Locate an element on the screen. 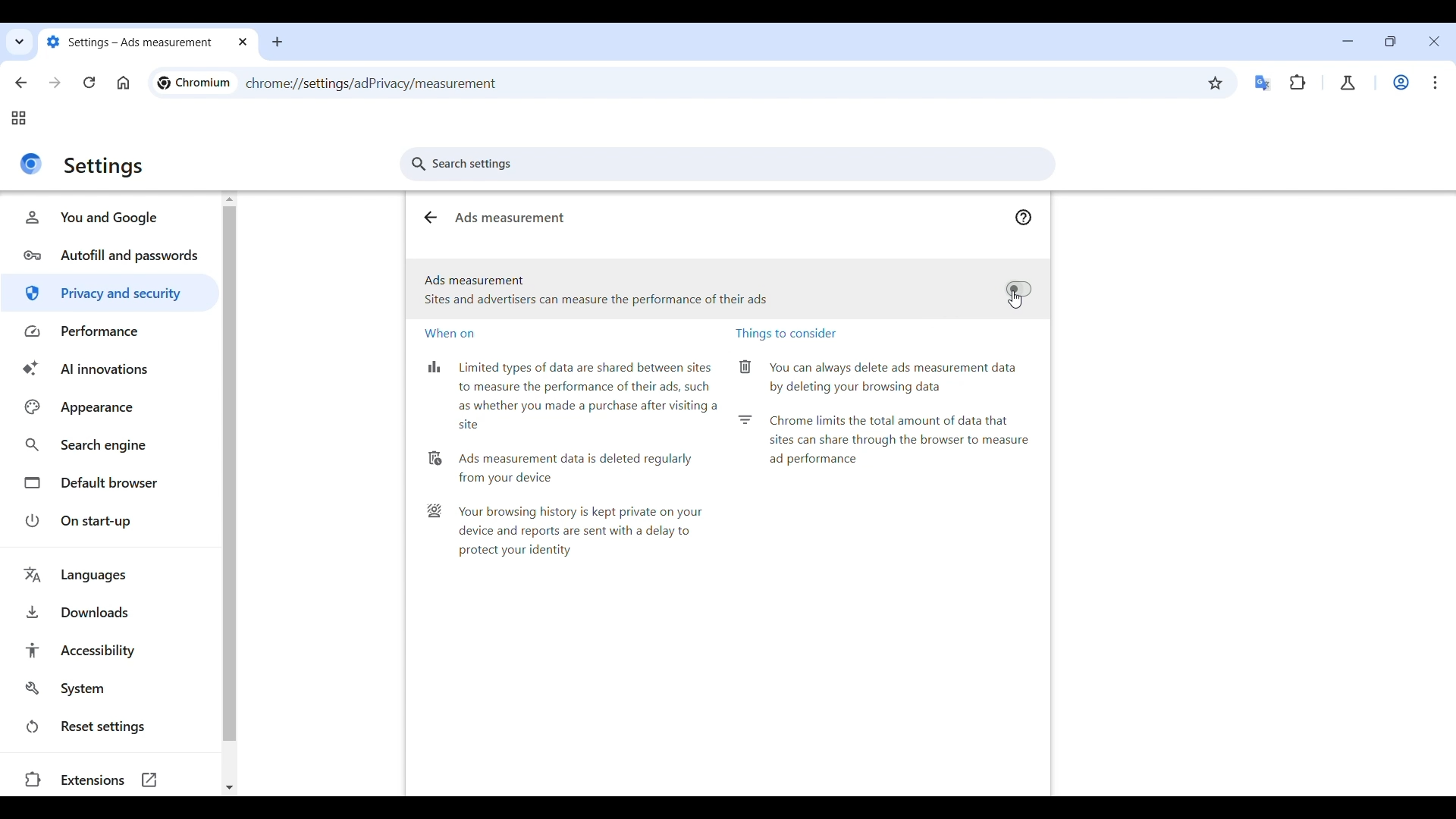  Go back is located at coordinates (20, 83).